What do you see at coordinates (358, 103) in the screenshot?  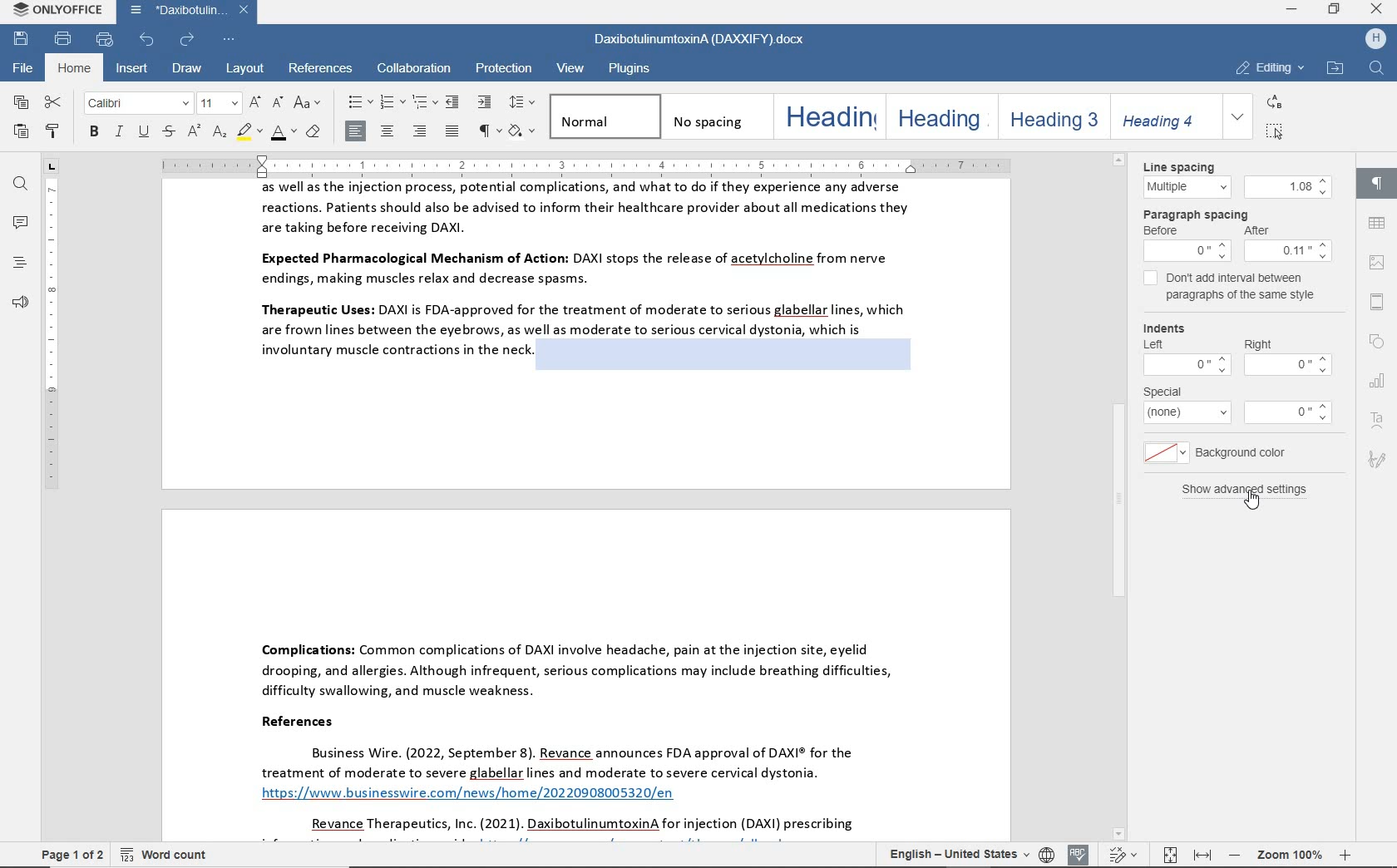 I see `bullets` at bounding box center [358, 103].